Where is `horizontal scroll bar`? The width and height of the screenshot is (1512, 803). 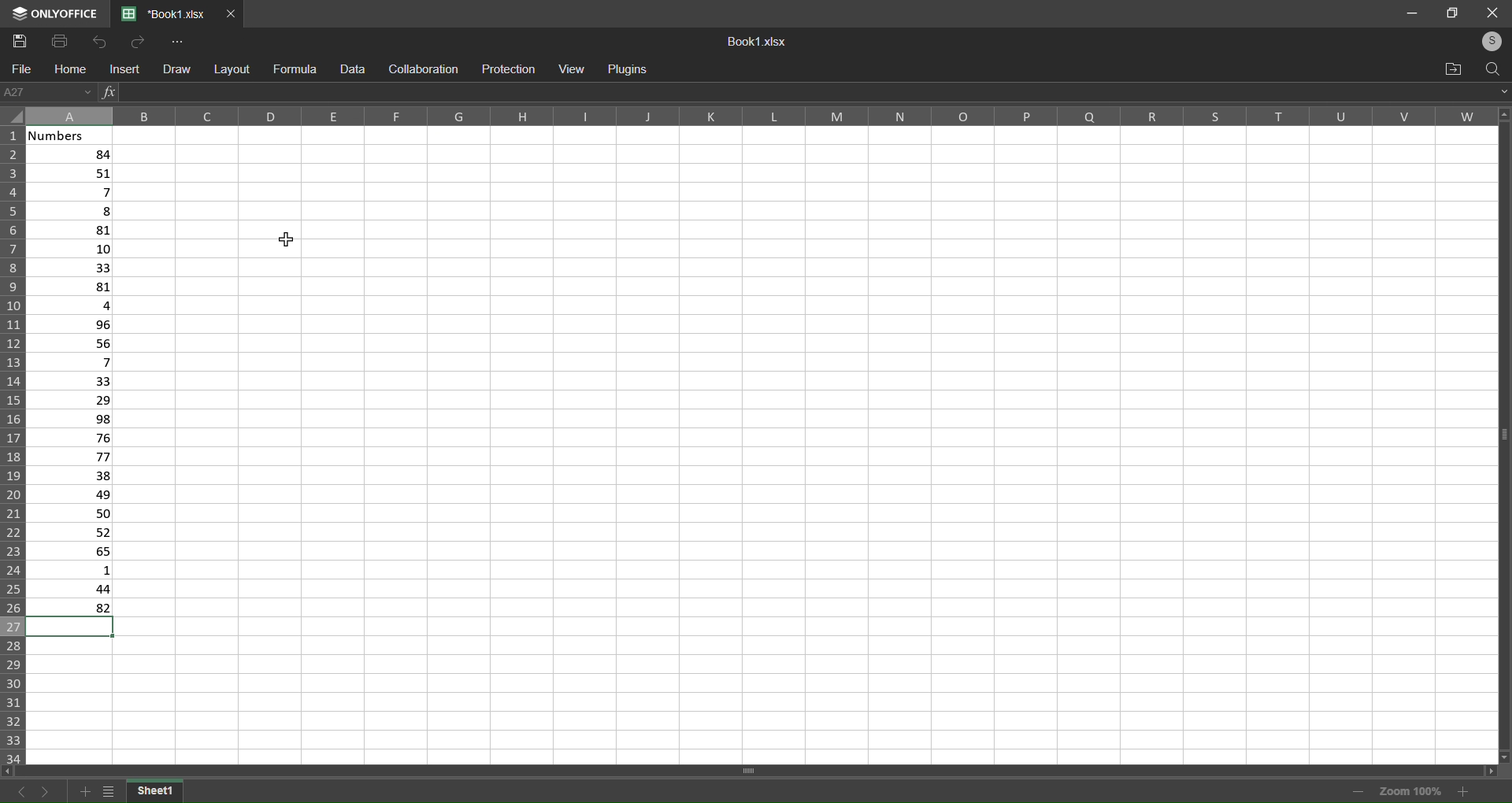
horizontal scroll bar is located at coordinates (752, 770).